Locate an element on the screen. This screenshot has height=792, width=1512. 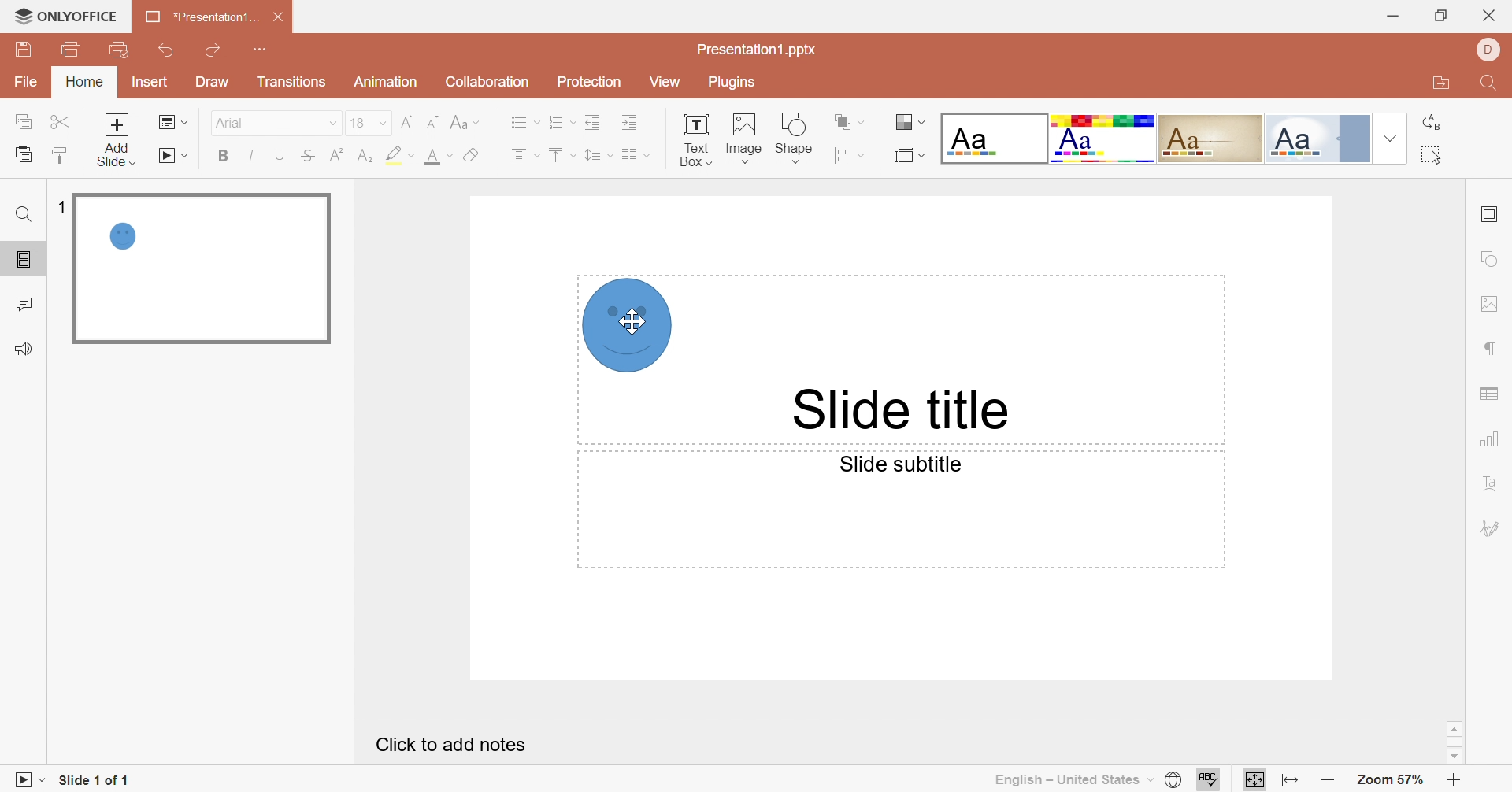
Customize quick access toolbar is located at coordinates (261, 50).